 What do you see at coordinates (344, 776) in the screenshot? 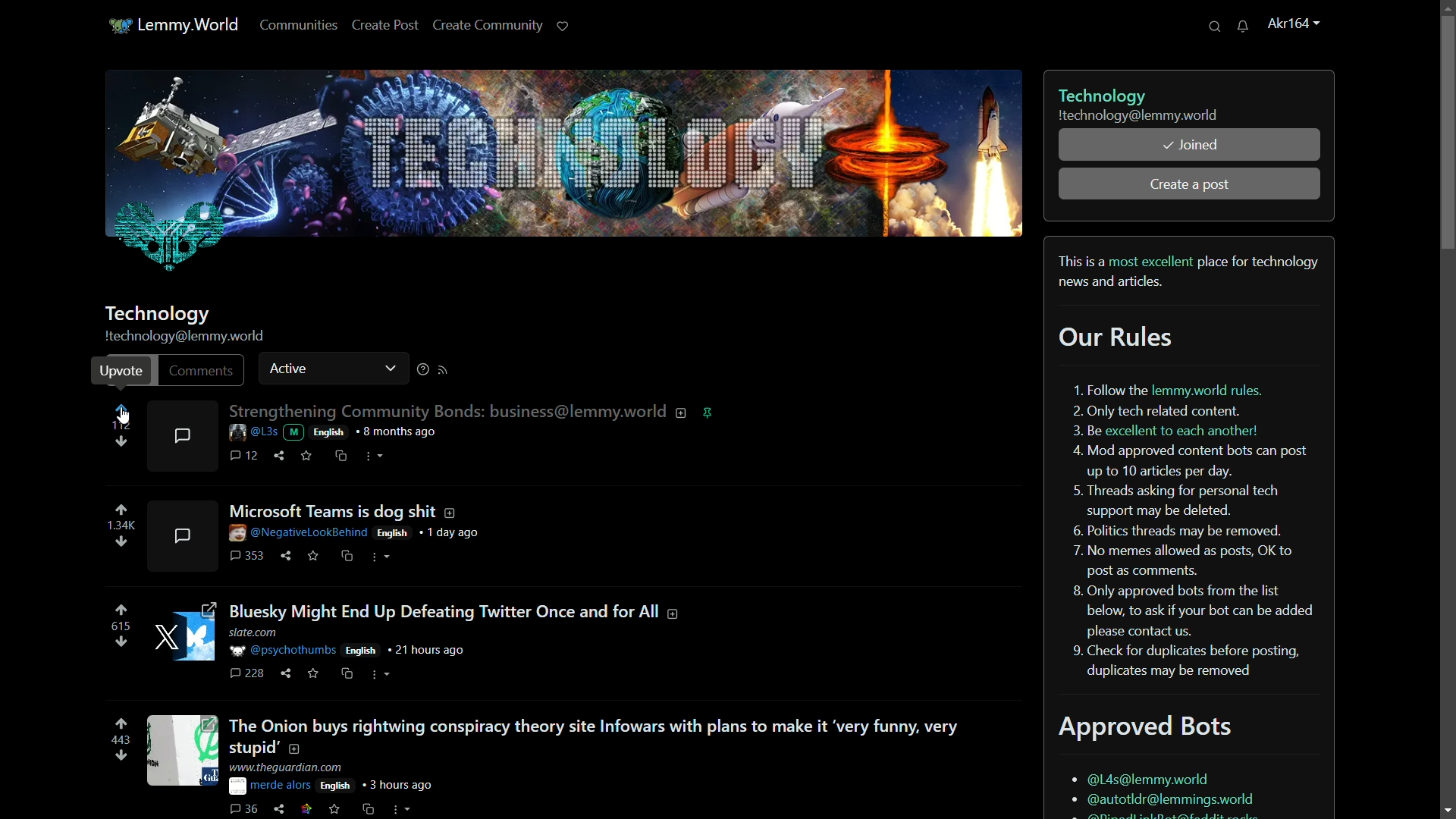
I see `post details` at bounding box center [344, 776].